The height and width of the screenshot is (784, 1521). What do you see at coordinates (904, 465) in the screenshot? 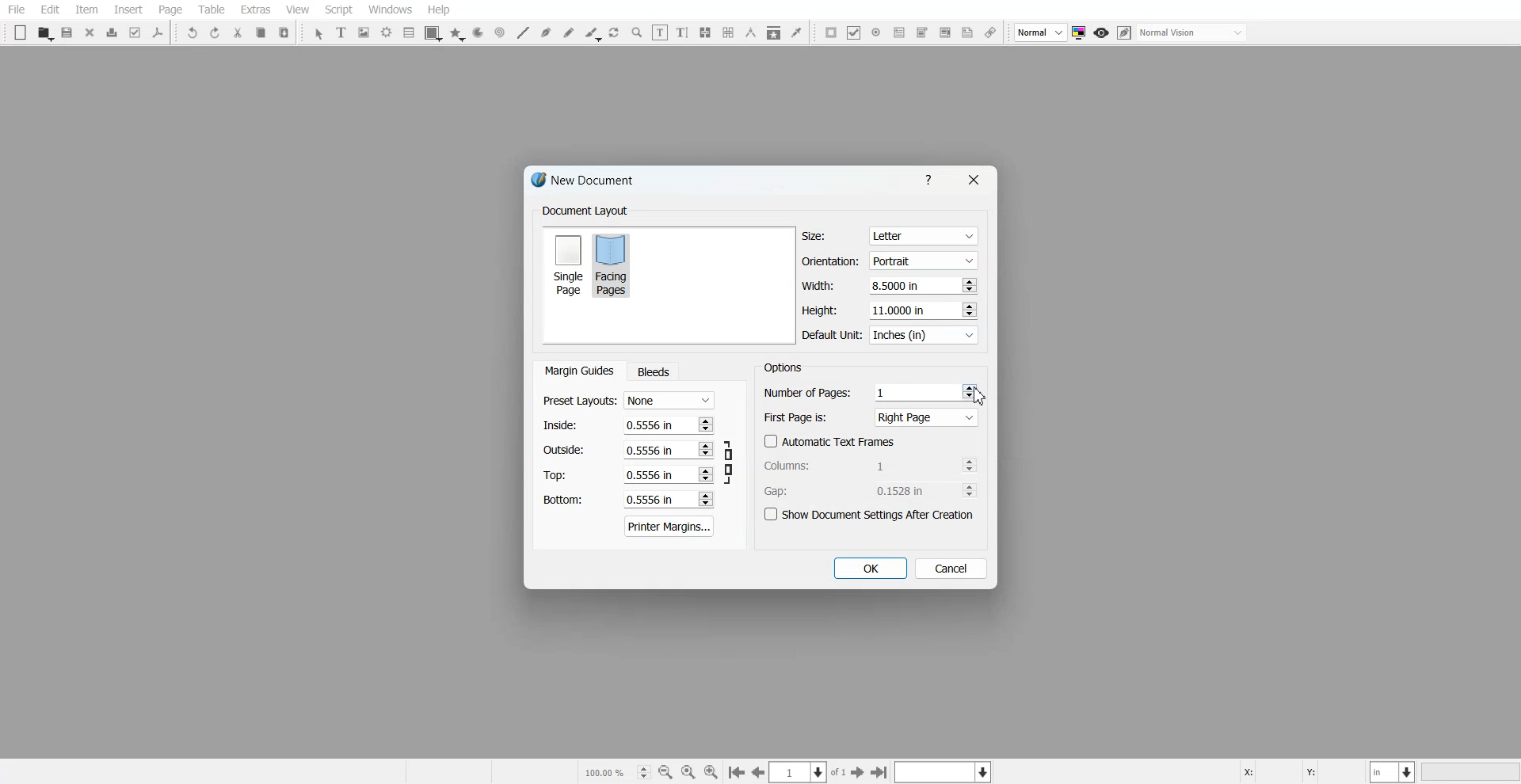
I see `1` at bounding box center [904, 465].